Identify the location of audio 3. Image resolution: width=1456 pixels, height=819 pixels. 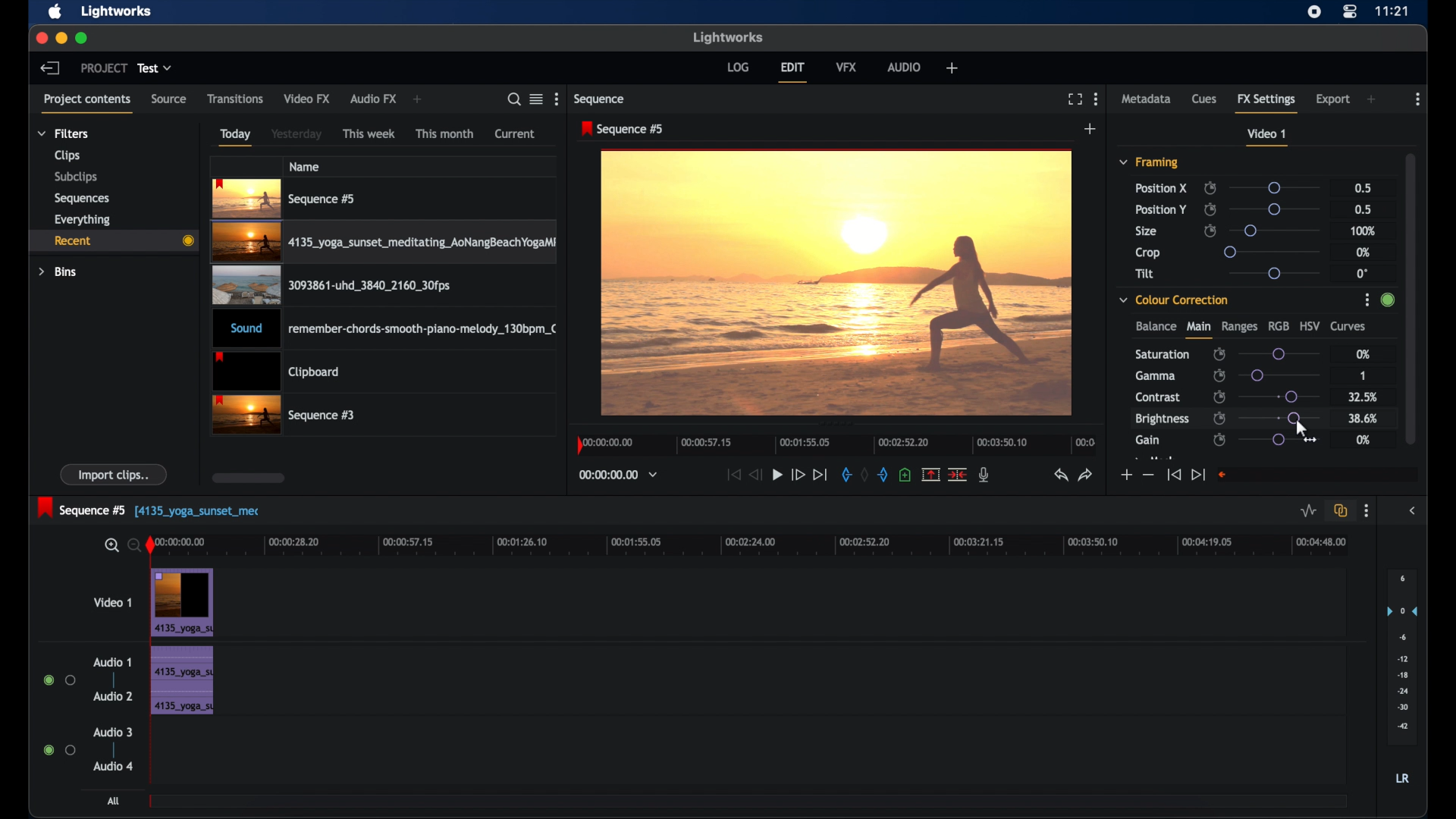
(114, 733).